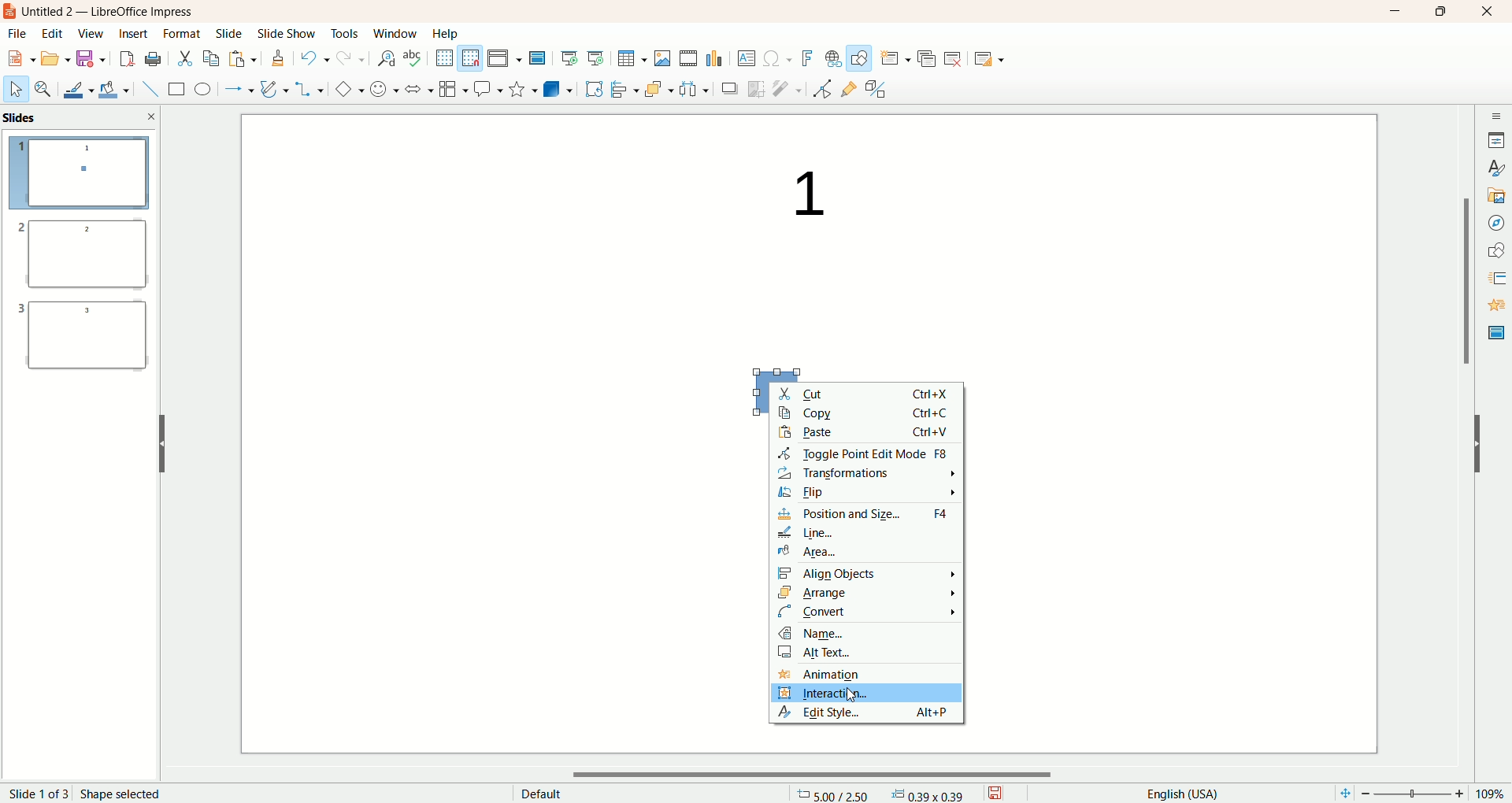  What do you see at coordinates (229, 35) in the screenshot?
I see `slide` at bounding box center [229, 35].